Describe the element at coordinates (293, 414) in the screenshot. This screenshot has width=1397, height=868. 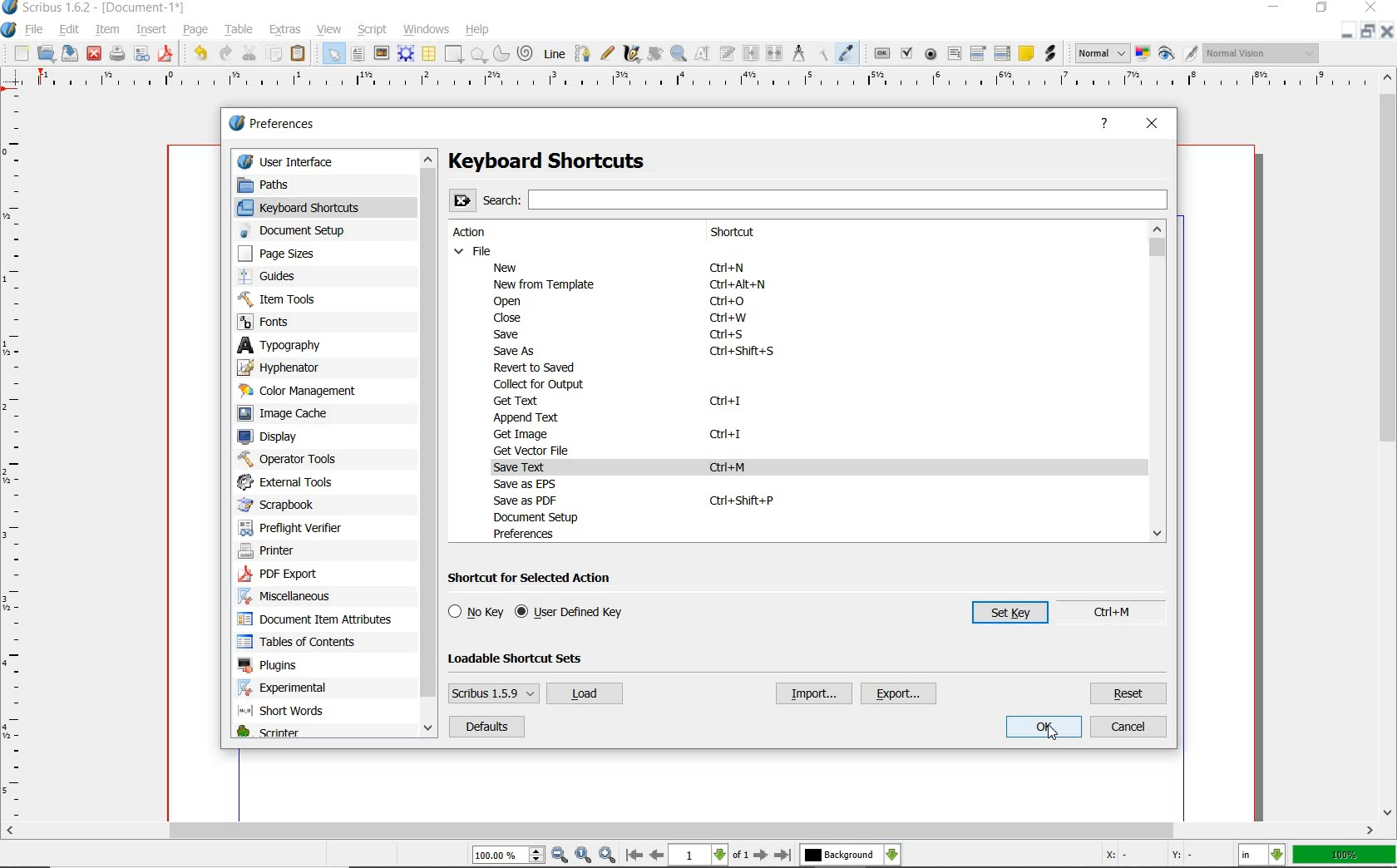
I see `image cache` at that location.